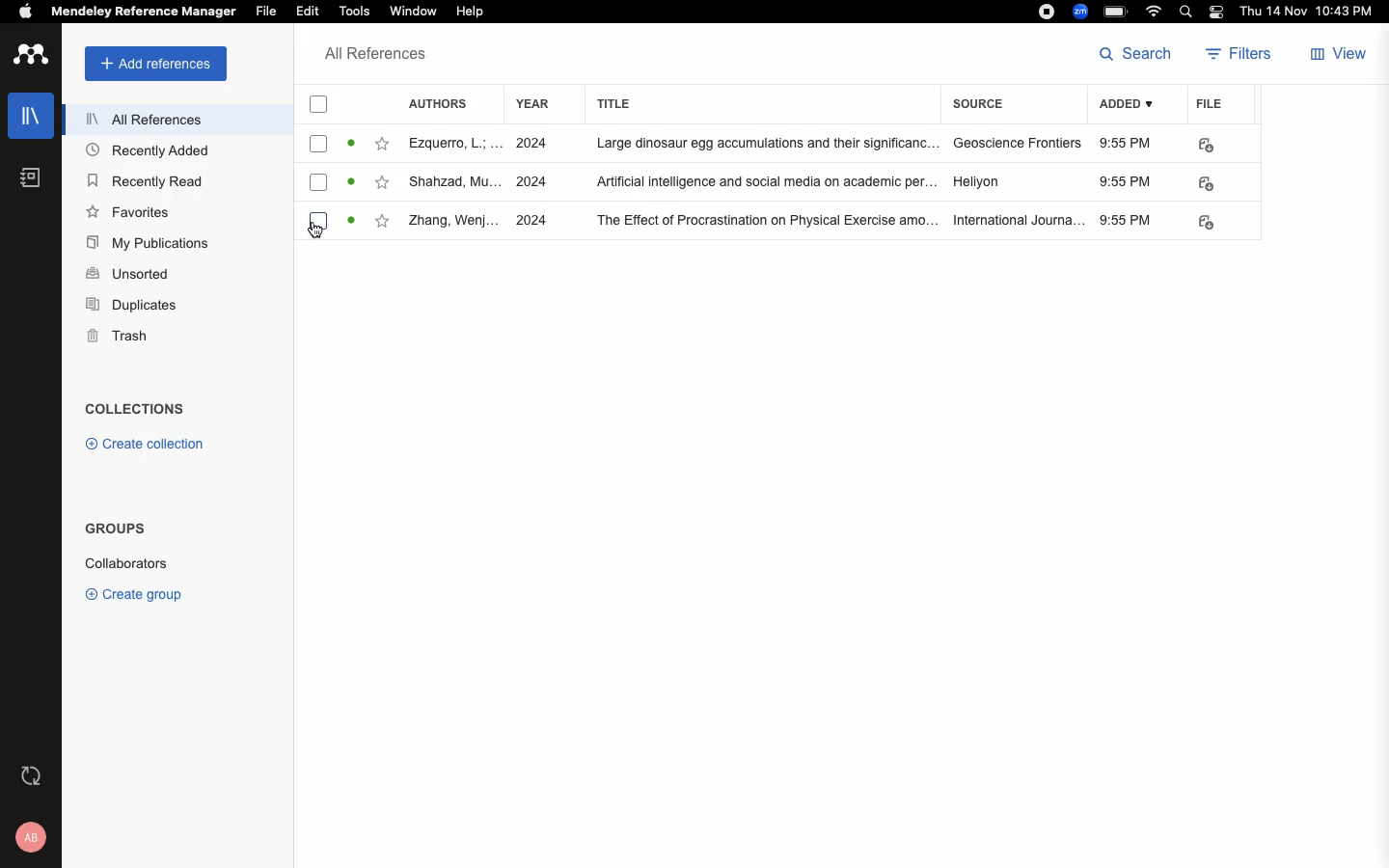 The width and height of the screenshot is (1389, 868). What do you see at coordinates (413, 12) in the screenshot?
I see `Window` at bounding box center [413, 12].